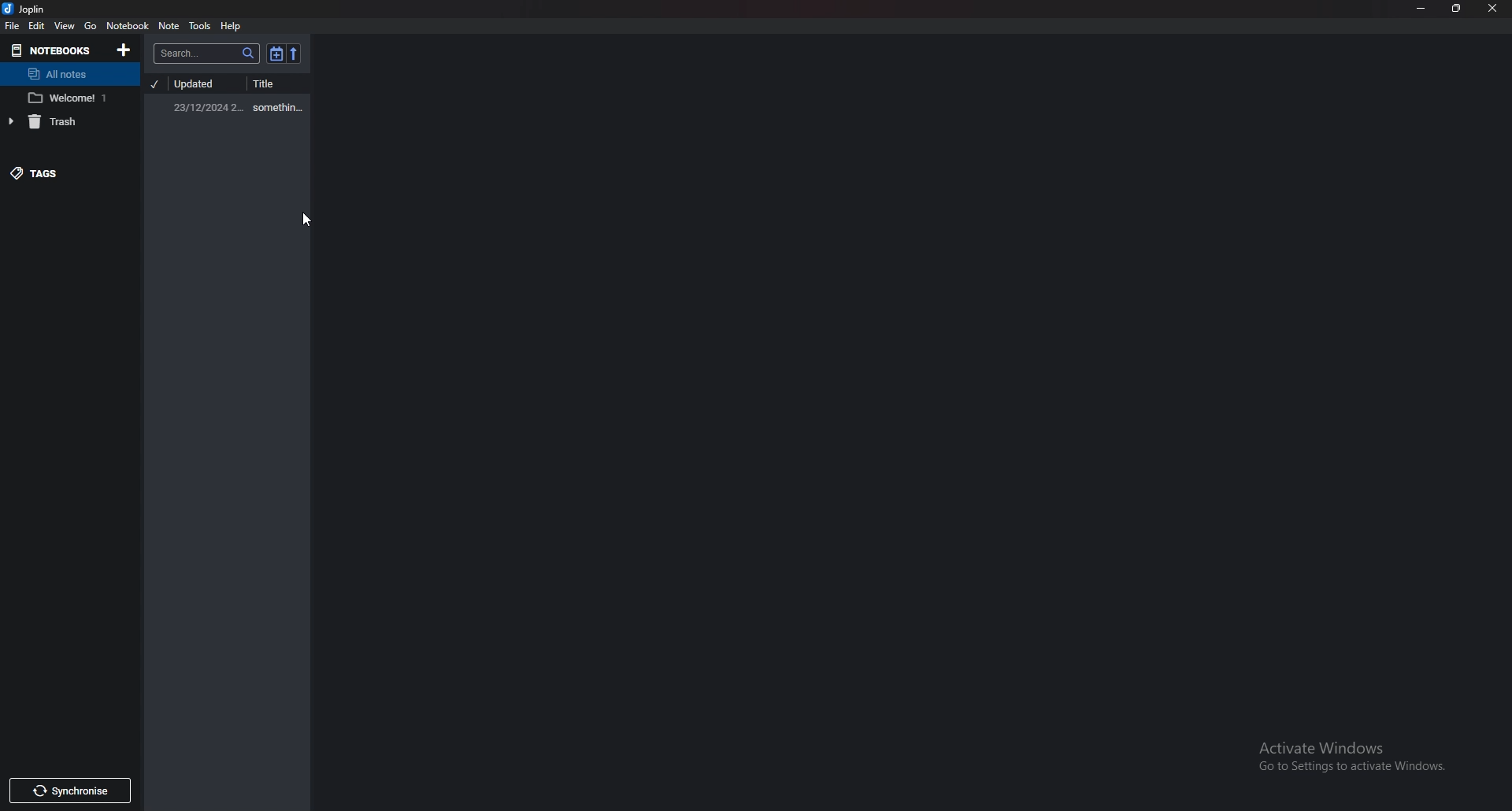 The image size is (1512, 811). Describe the element at coordinates (1423, 9) in the screenshot. I see `Minimize` at that location.